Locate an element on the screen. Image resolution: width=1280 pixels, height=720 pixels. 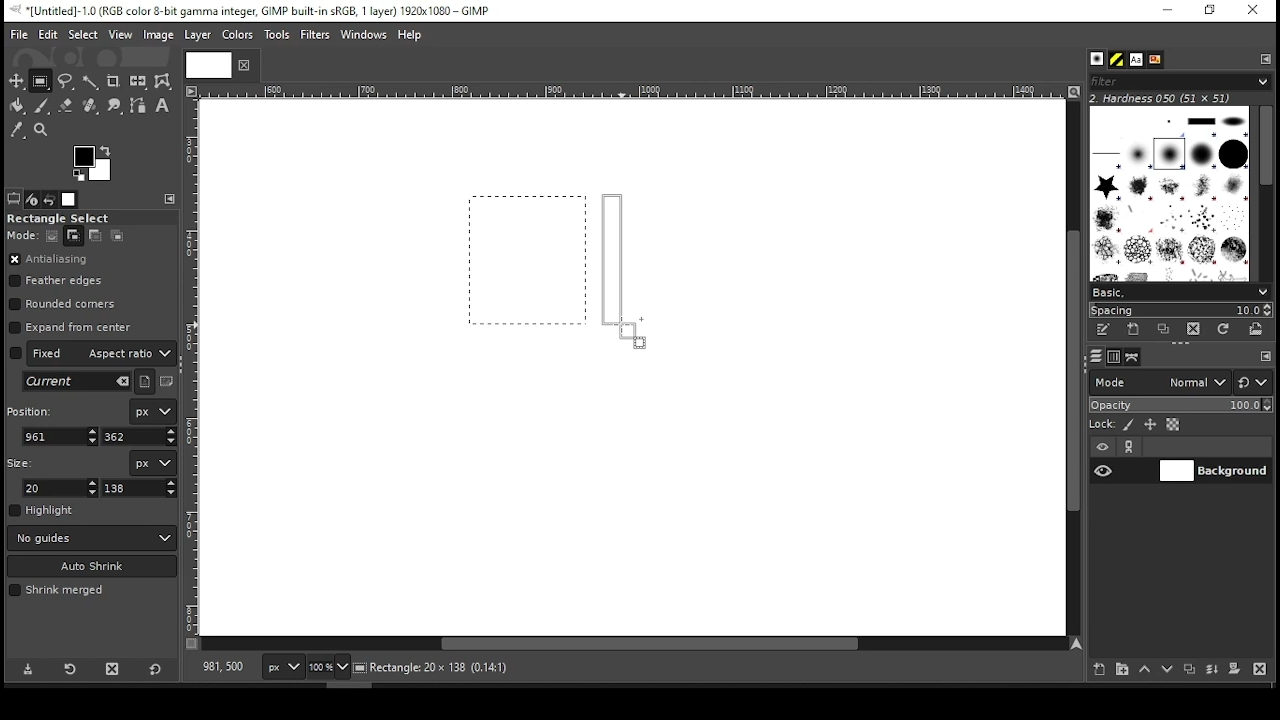
eraser tool is located at coordinates (65, 105).